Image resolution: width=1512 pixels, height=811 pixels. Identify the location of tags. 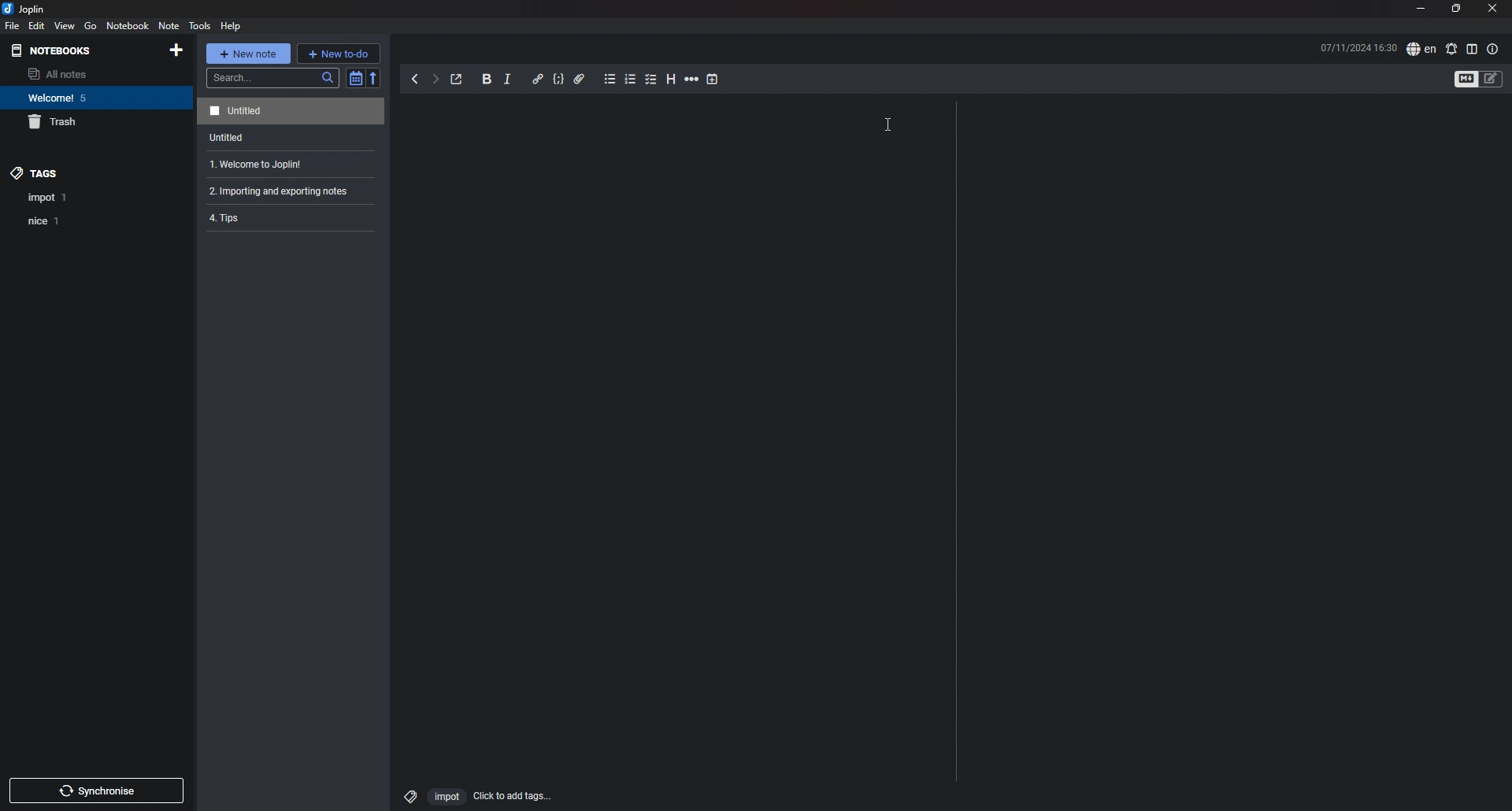
(76, 172).